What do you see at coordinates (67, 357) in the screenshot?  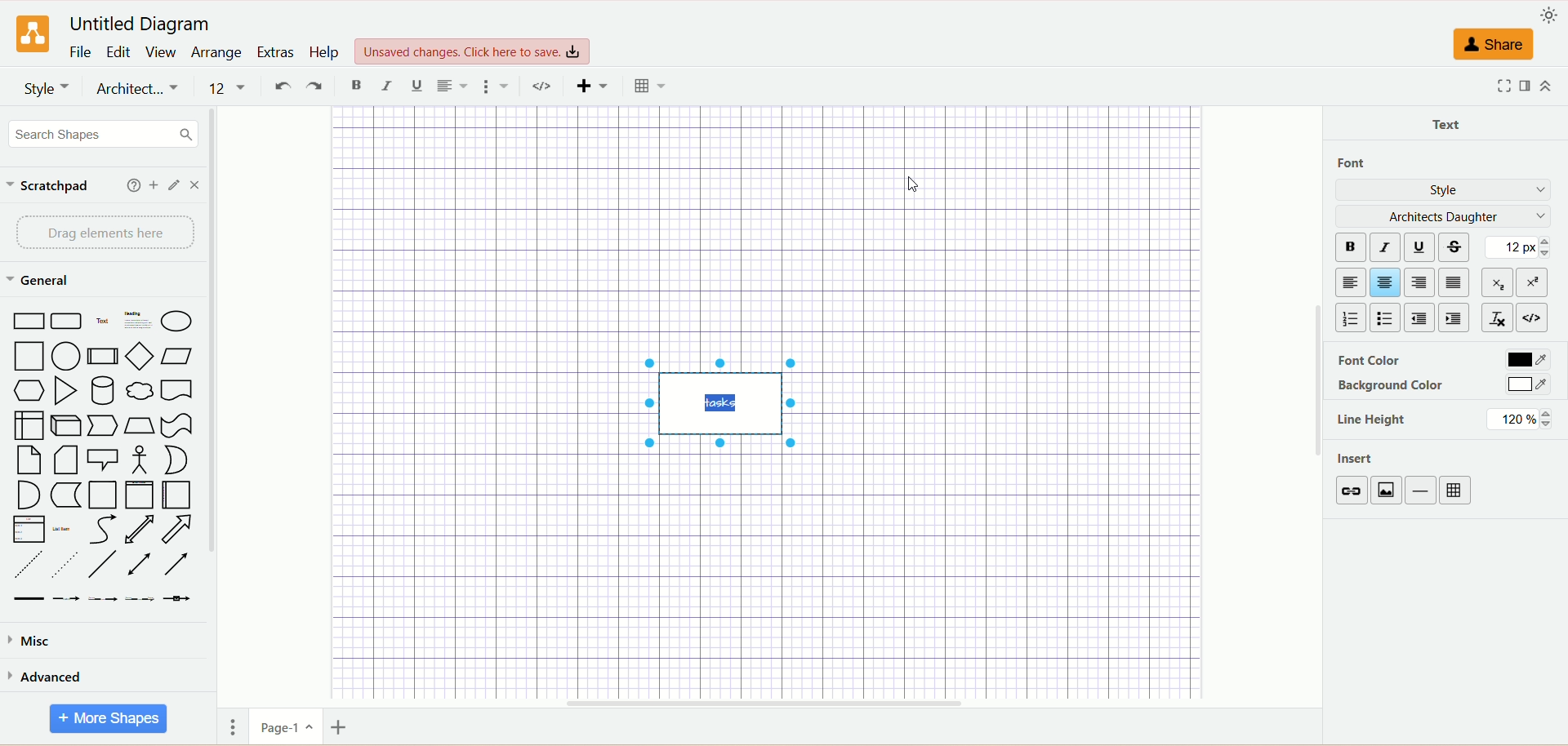 I see `Circle` at bounding box center [67, 357].